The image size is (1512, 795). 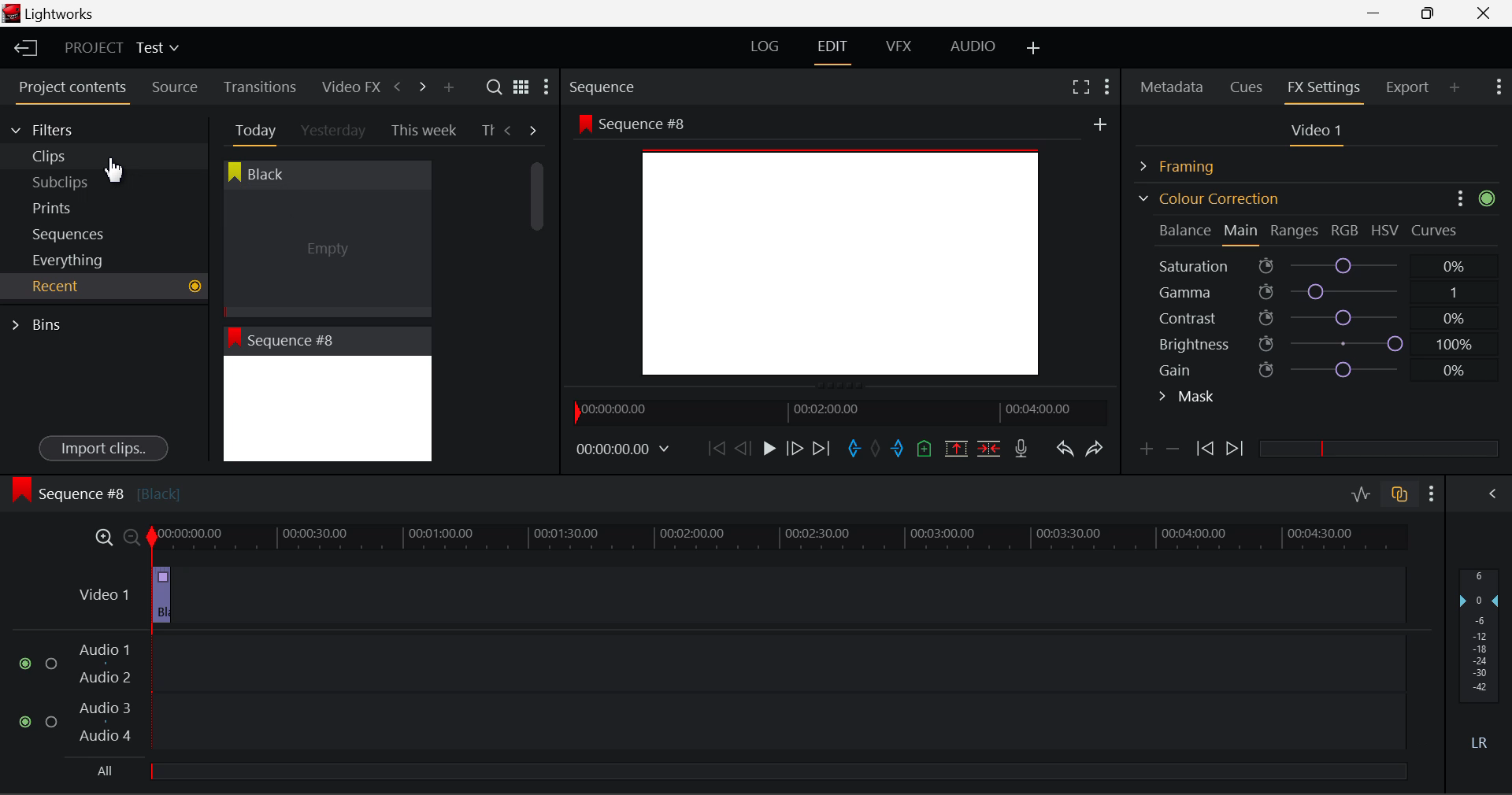 What do you see at coordinates (103, 449) in the screenshot?
I see `Import clips` at bounding box center [103, 449].